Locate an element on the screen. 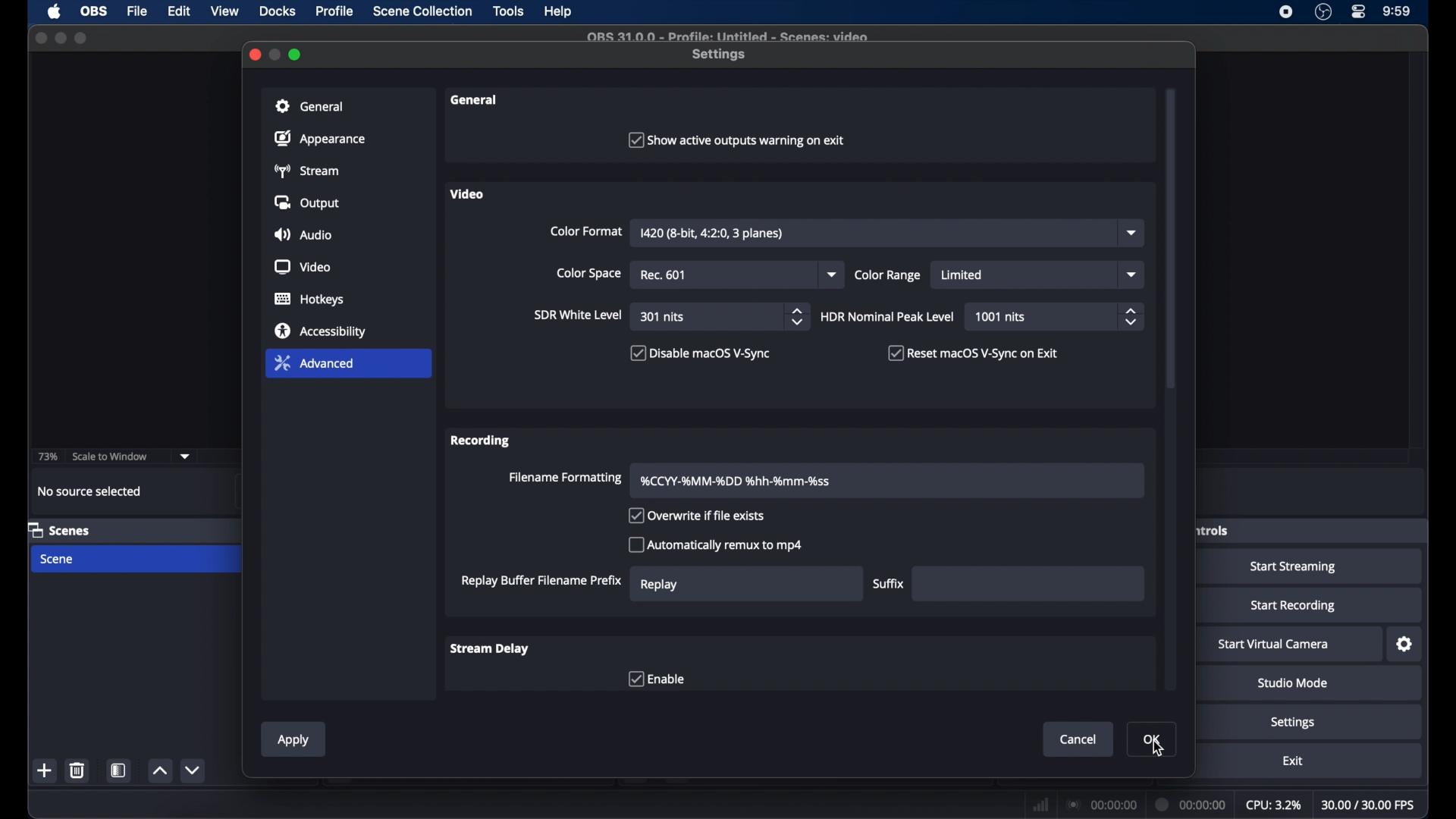  recording is located at coordinates (481, 442).